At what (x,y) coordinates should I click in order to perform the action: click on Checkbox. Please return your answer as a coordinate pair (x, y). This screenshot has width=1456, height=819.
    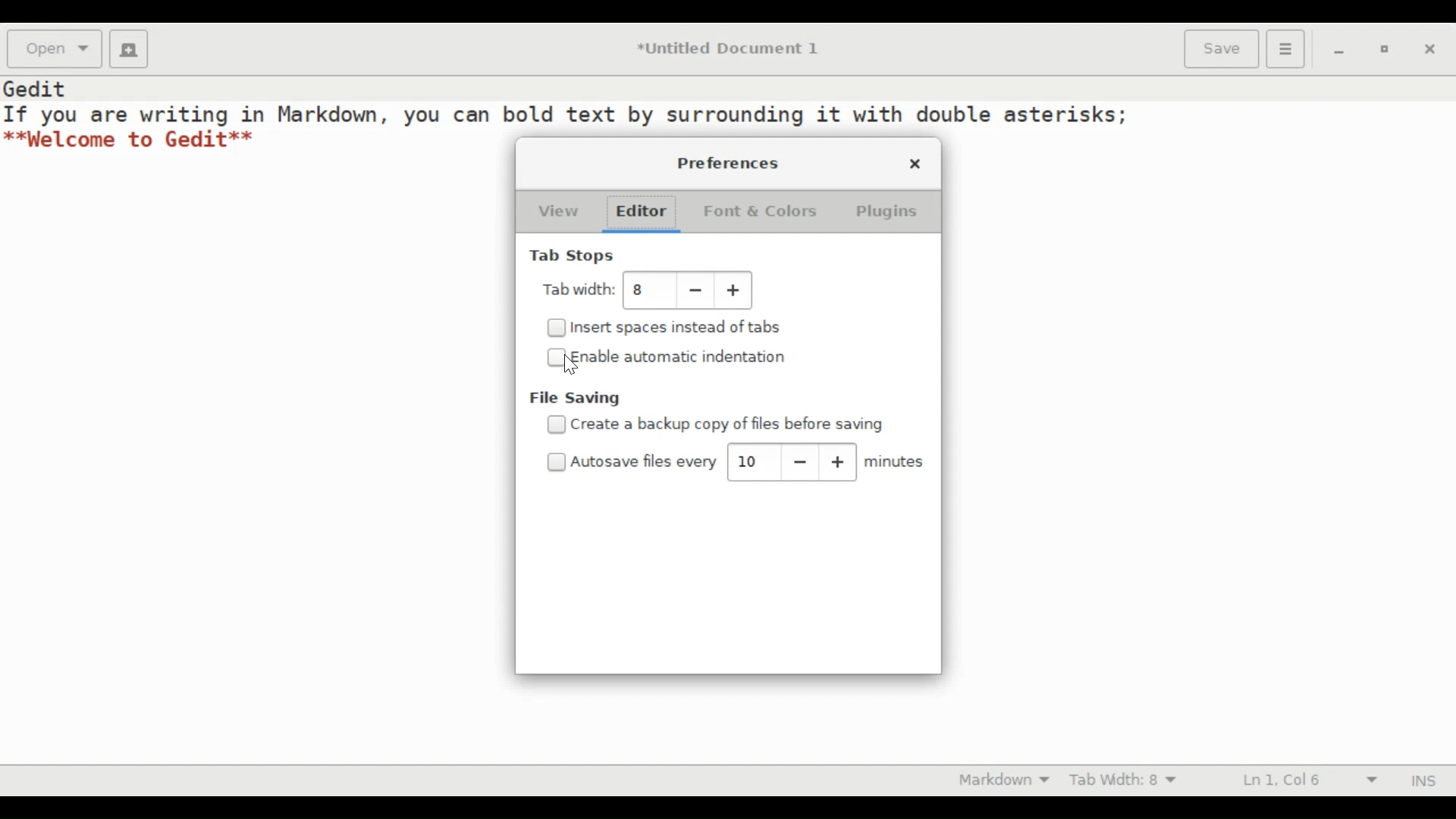
    Looking at the image, I should click on (557, 463).